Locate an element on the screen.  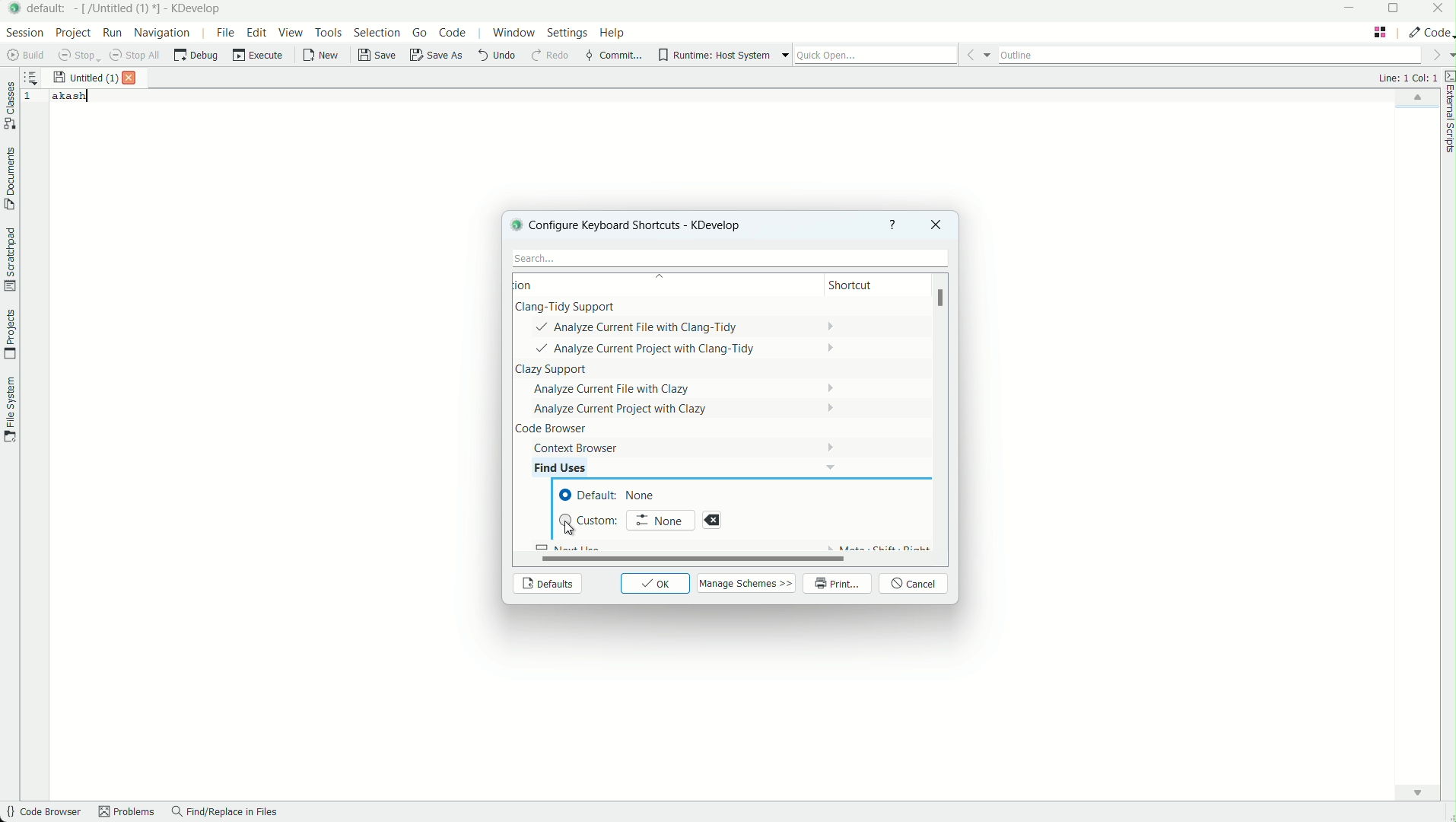
project menu is located at coordinates (72, 33).